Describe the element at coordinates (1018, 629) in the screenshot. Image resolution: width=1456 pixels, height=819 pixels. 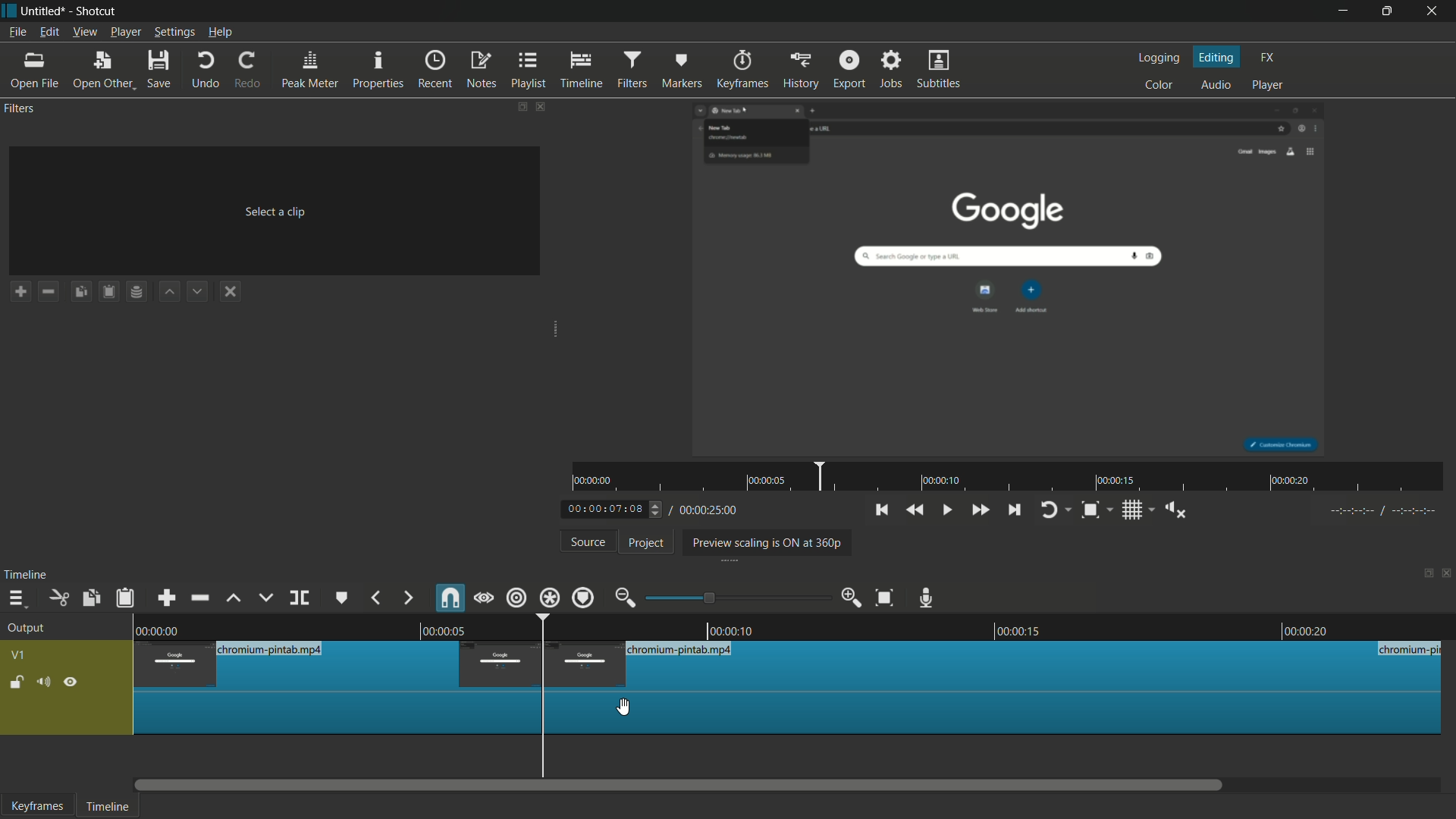
I see `0.00.015` at that location.